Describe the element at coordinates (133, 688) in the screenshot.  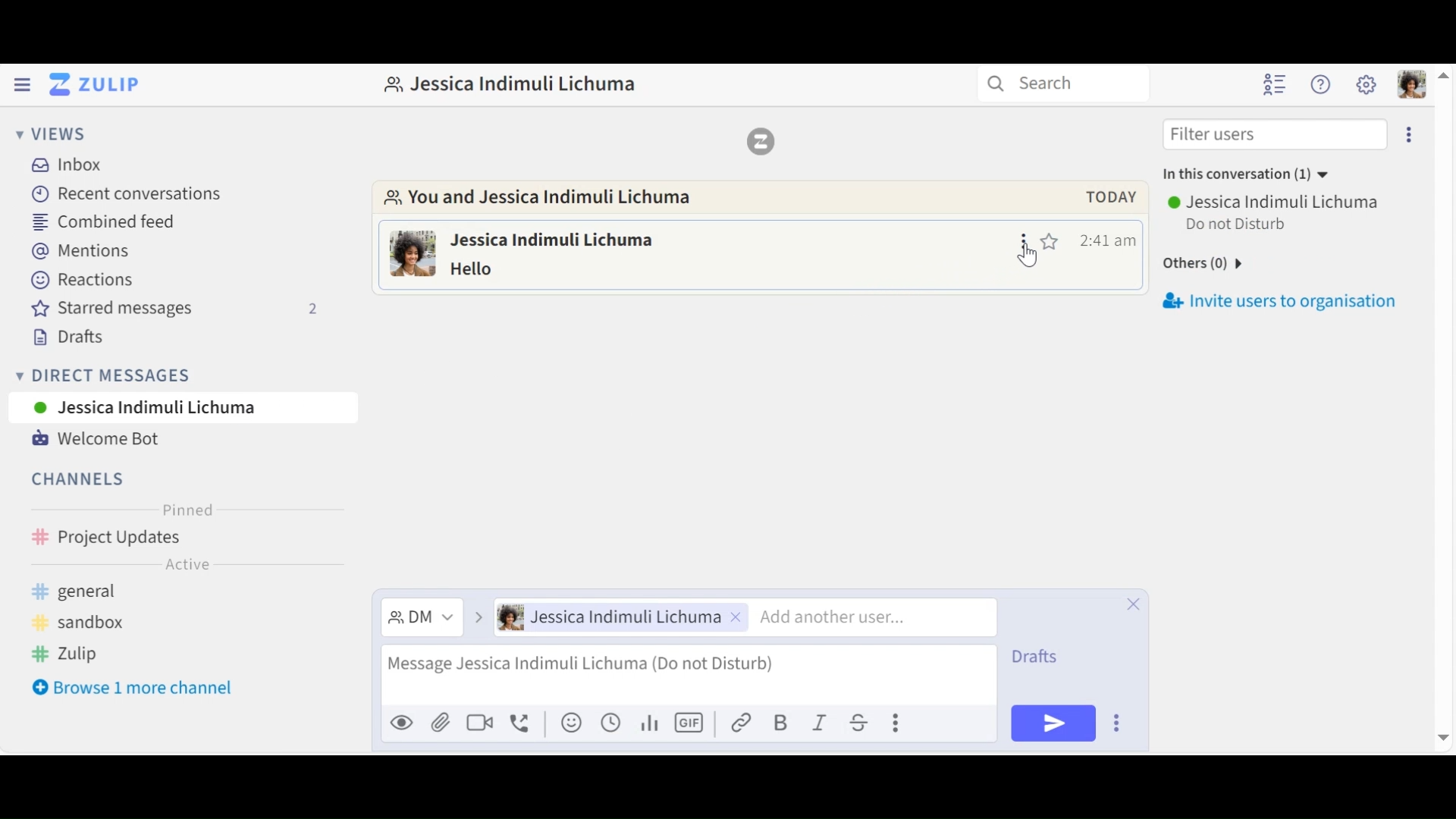
I see `Browse more channel` at that location.